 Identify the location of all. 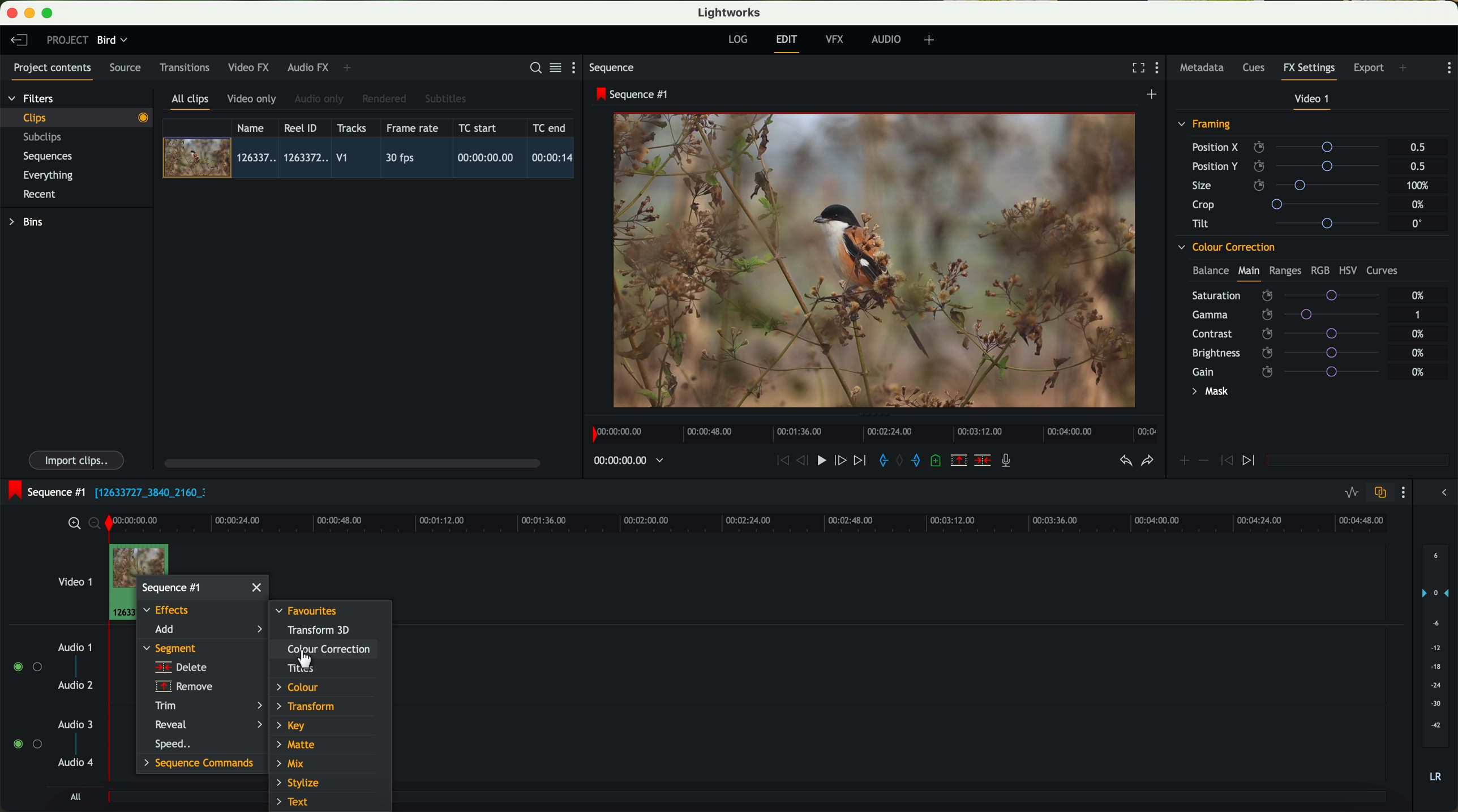
(75, 797).